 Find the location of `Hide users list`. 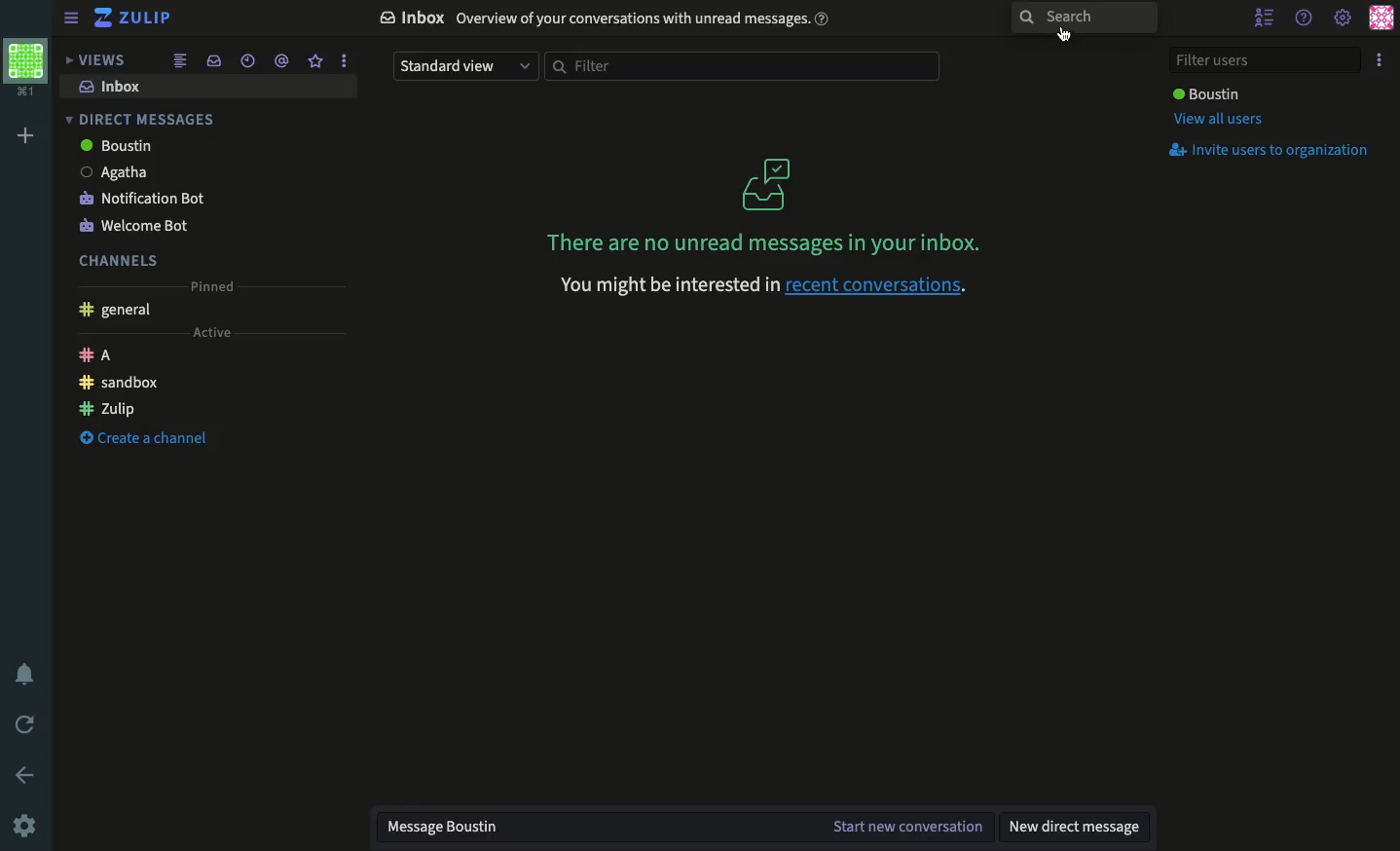

Hide users list is located at coordinates (1267, 18).